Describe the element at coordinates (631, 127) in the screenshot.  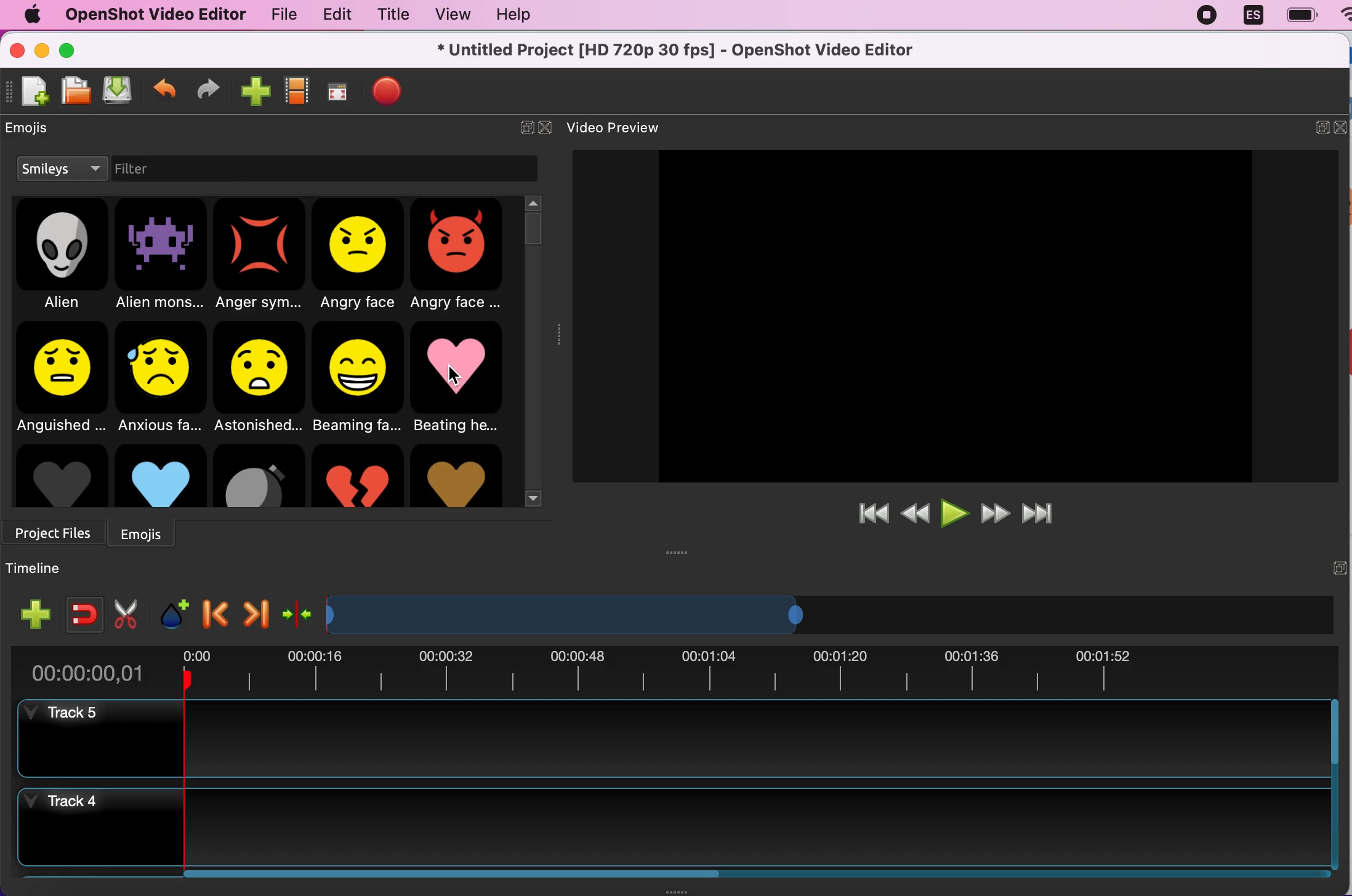
I see `video preview` at that location.